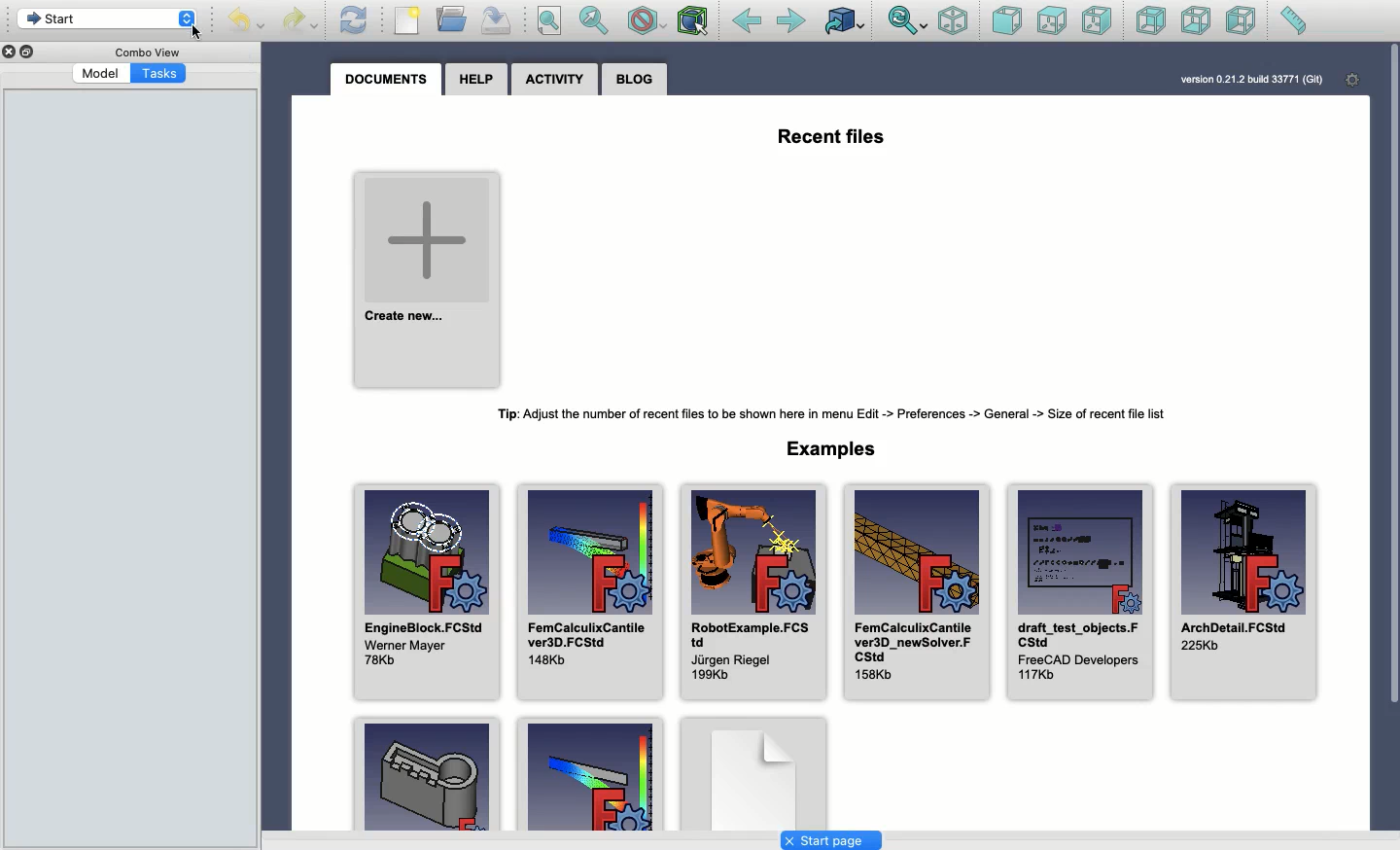  What do you see at coordinates (591, 772) in the screenshot?
I see `Example 2` at bounding box center [591, 772].